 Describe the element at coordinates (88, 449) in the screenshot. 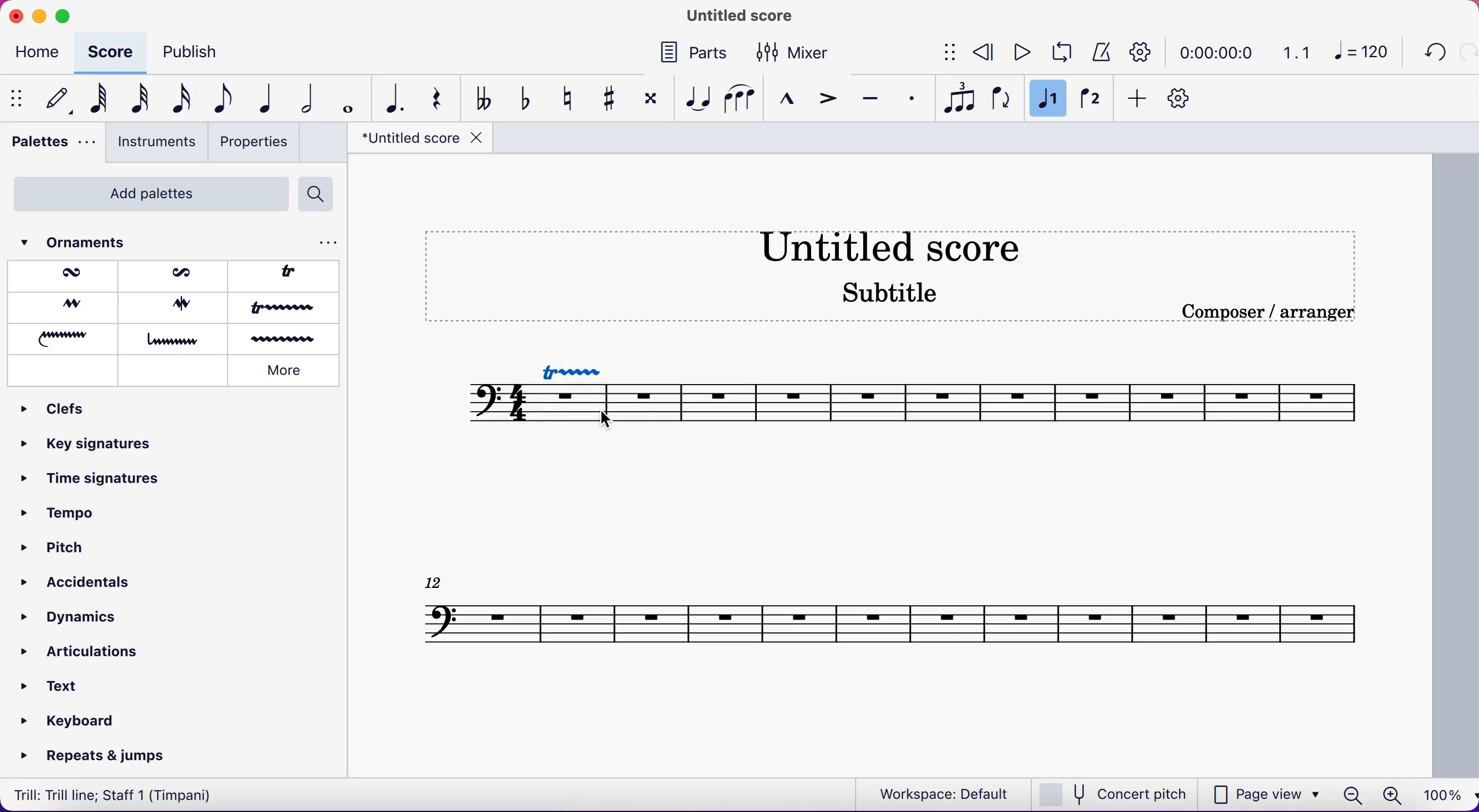

I see `key signatures` at that location.